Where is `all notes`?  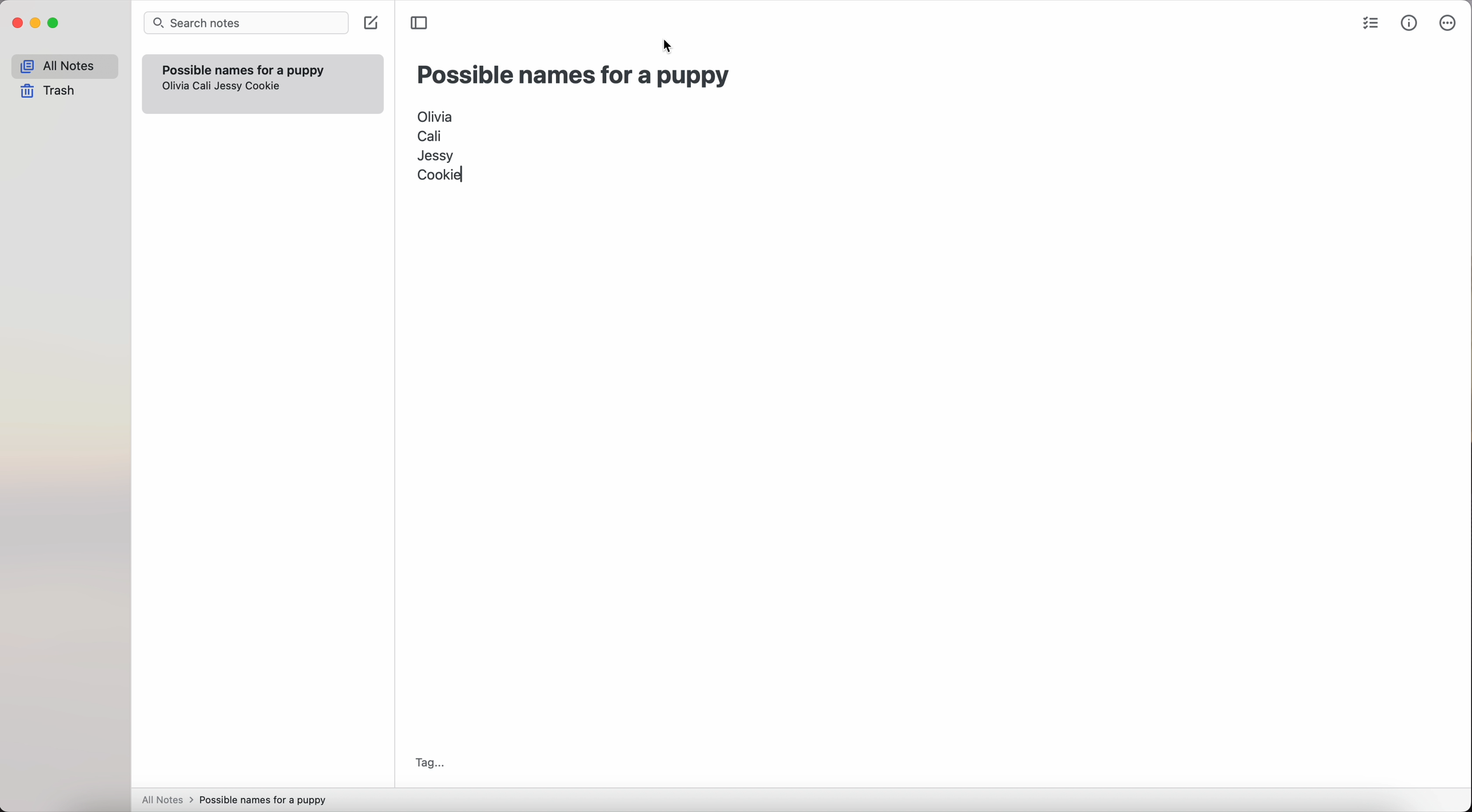 all notes is located at coordinates (65, 66).